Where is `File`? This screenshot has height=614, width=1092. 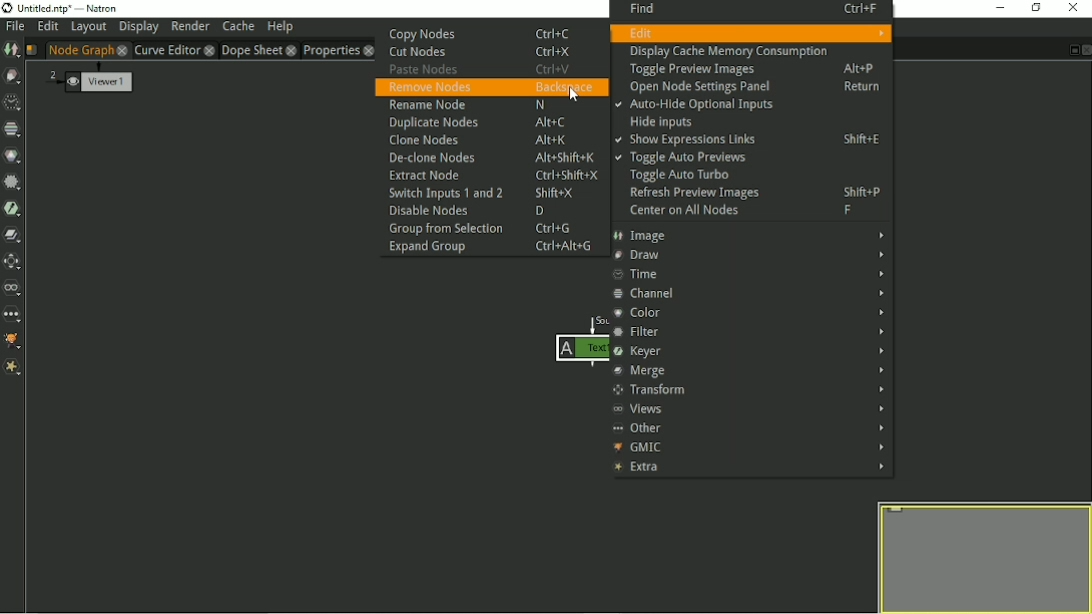
File is located at coordinates (14, 28).